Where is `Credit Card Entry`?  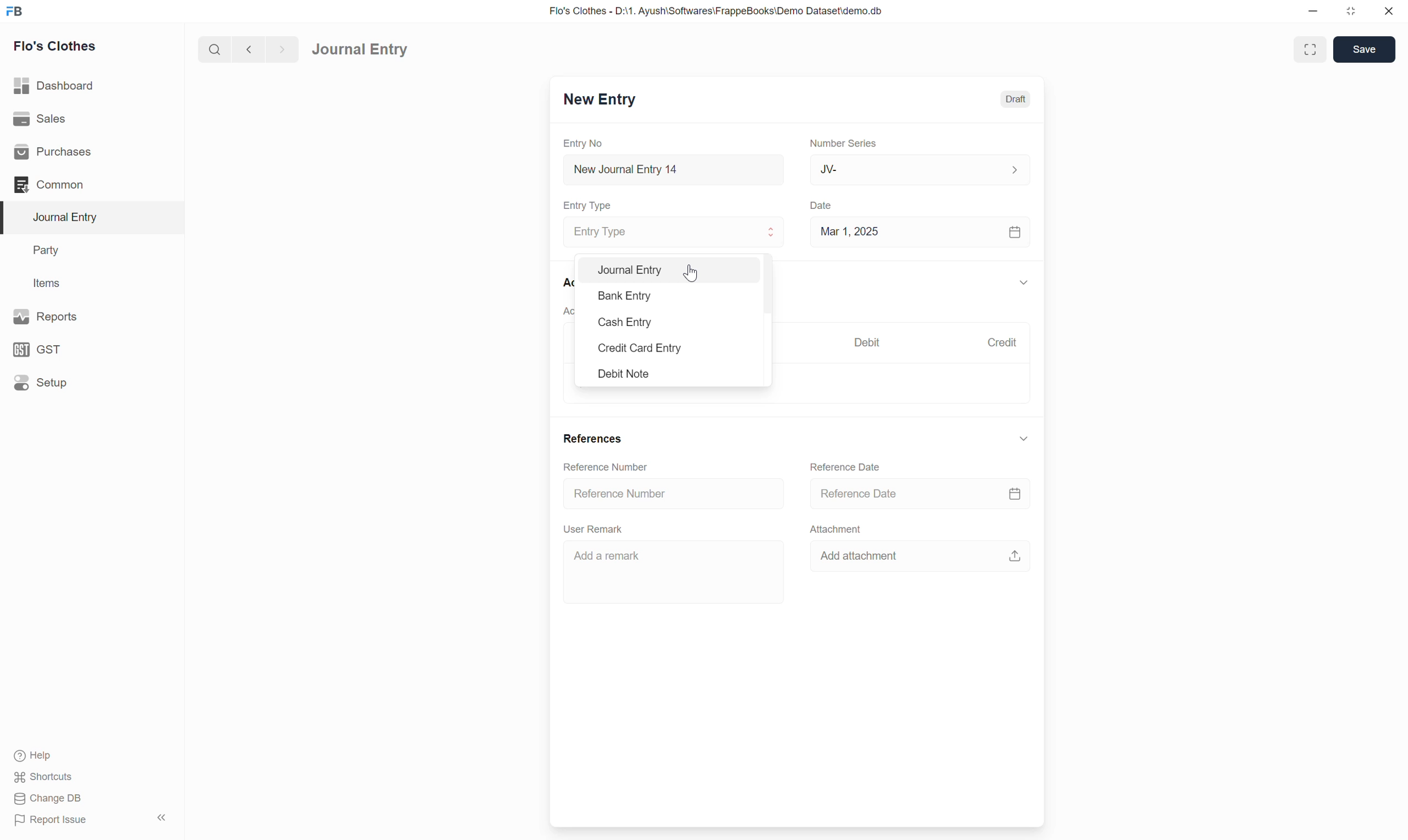
Credit Card Entry is located at coordinates (643, 349).